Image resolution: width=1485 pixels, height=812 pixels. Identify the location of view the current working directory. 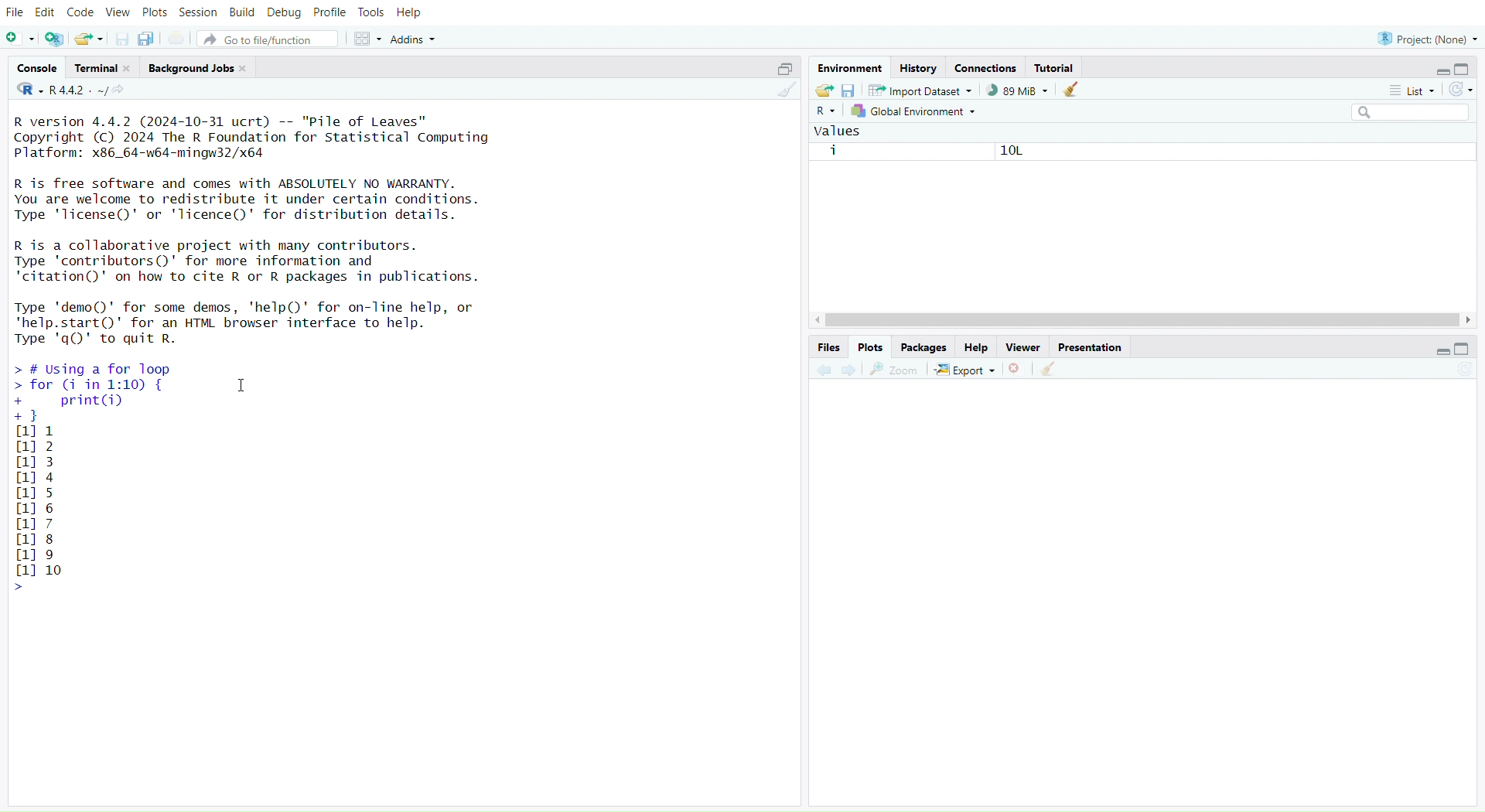
(120, 91).